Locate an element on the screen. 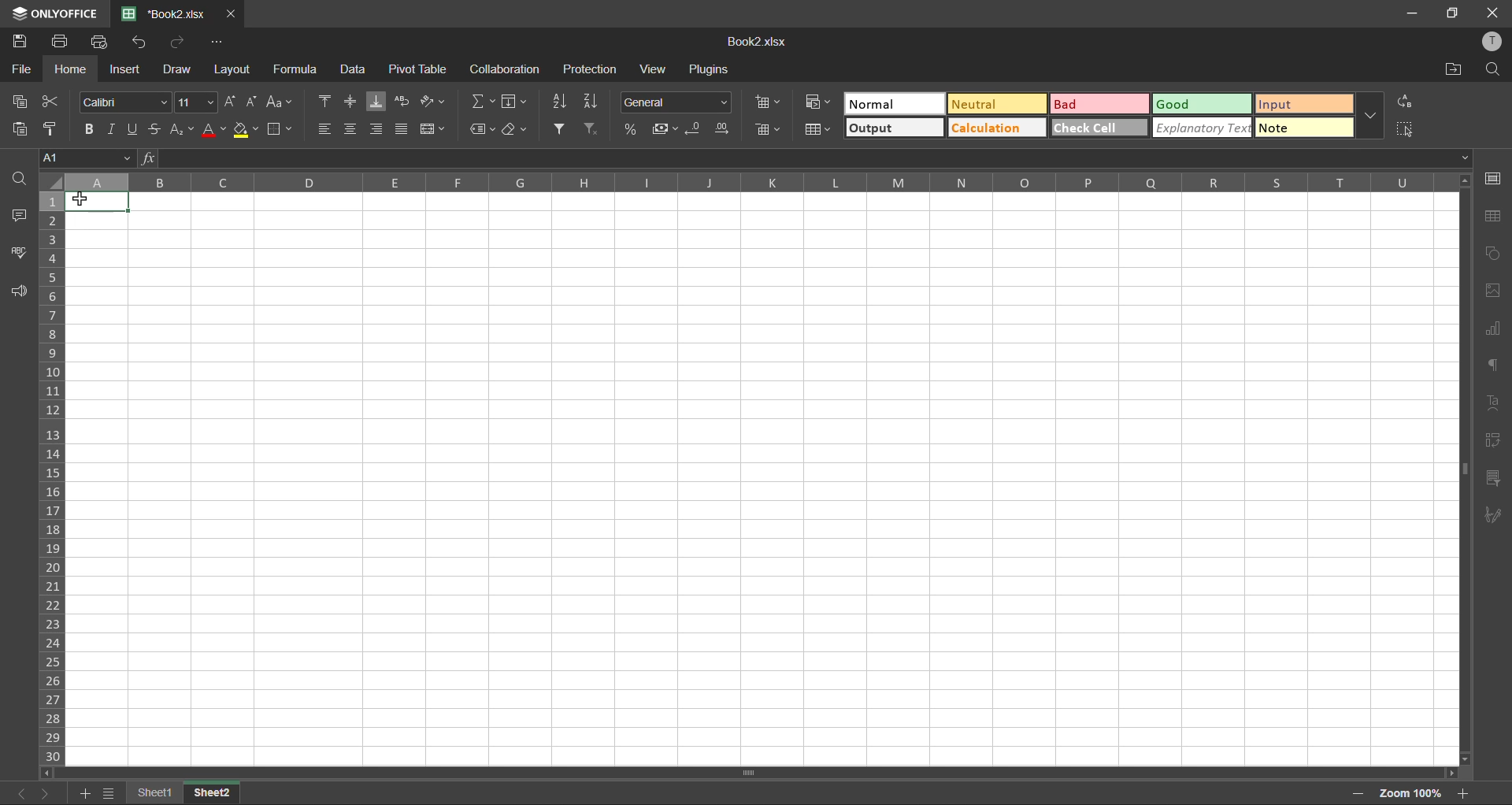 This screenshot has height=805, width=1512. protection is located at coordinates (591, 69).